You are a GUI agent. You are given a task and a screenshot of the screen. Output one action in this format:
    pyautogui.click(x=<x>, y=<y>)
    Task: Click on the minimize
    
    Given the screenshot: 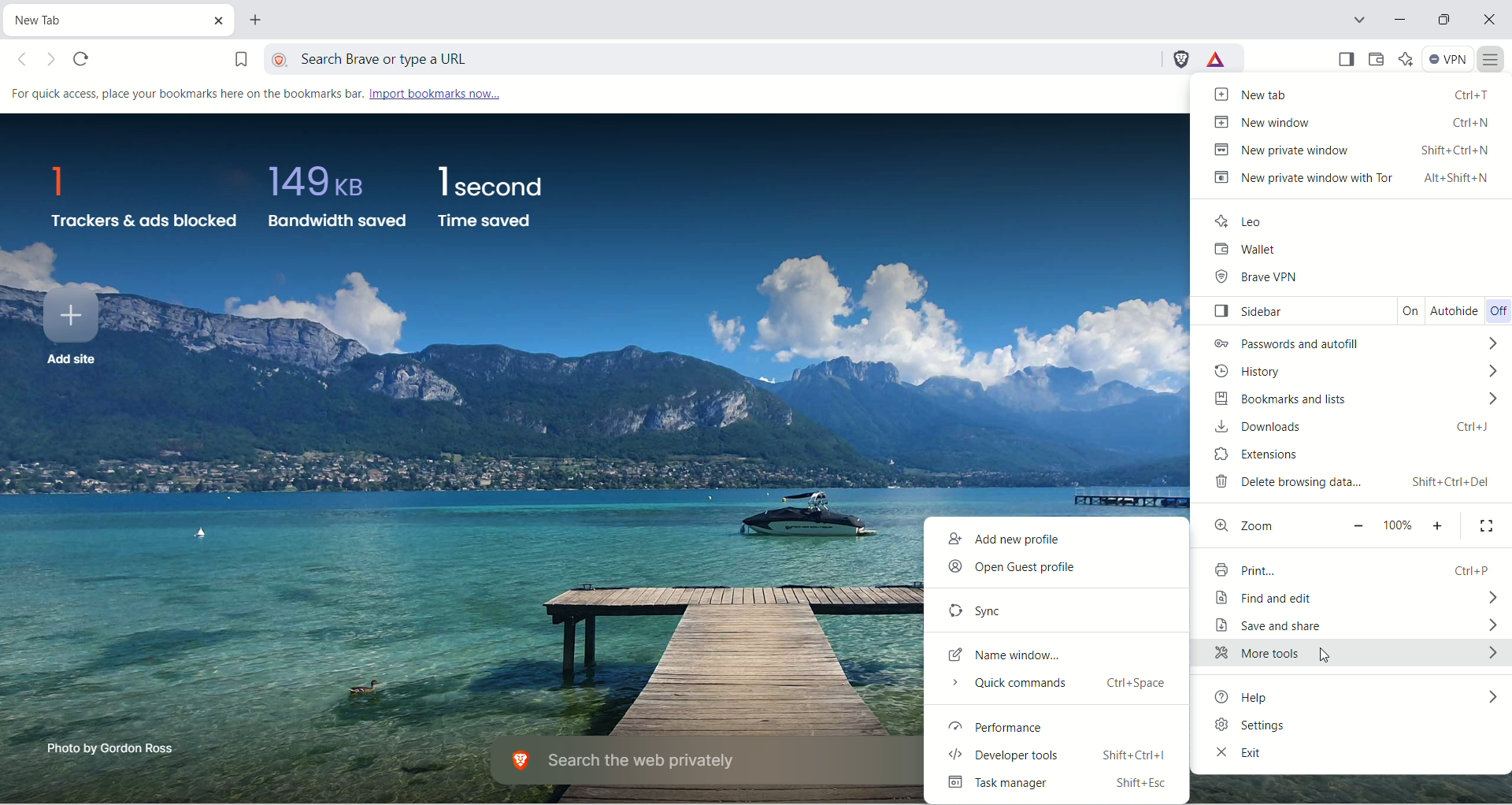 What is the action you would take?
    pyautogui.click(x=1395, y=18)
    